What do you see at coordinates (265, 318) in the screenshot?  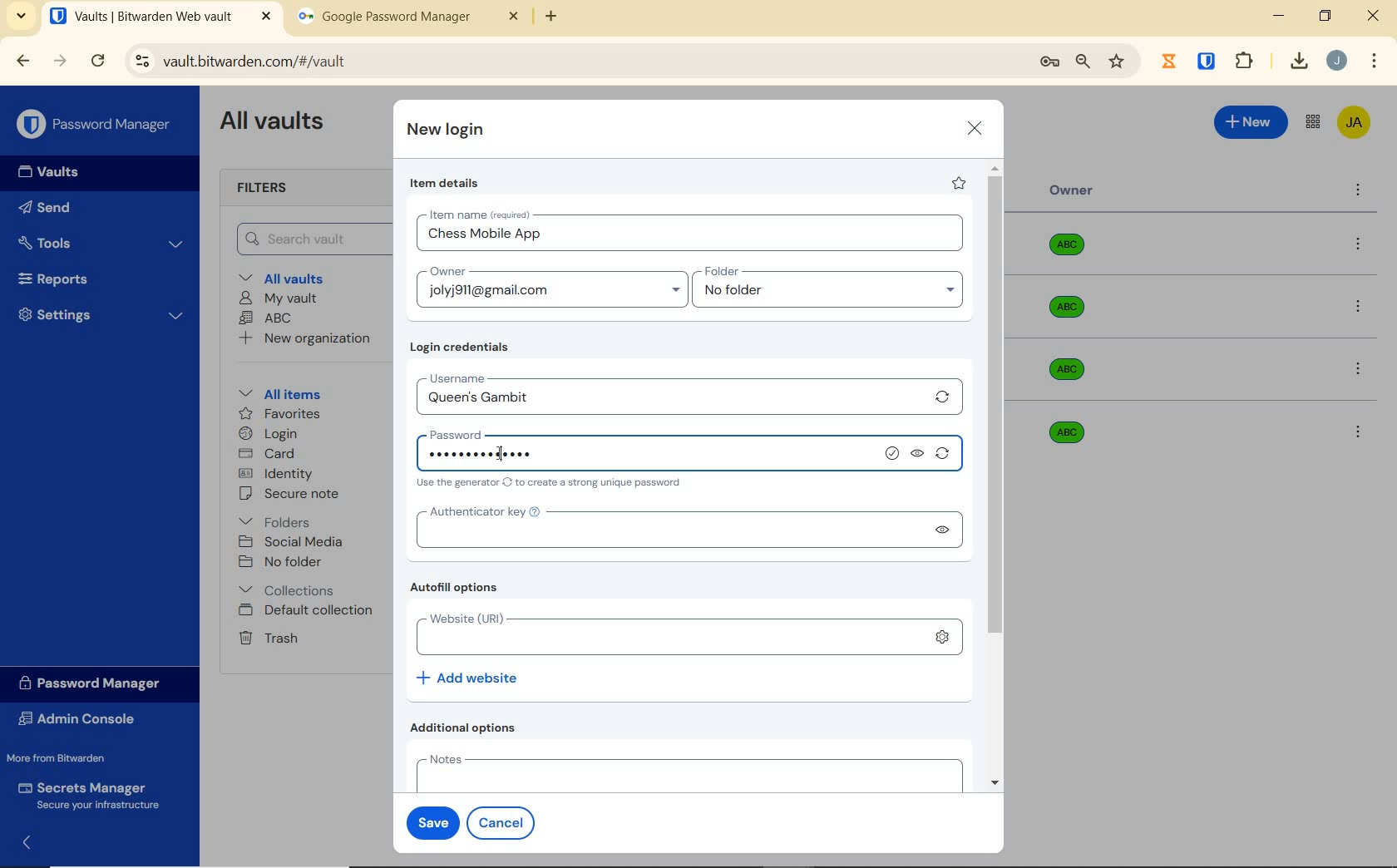 I see `ABC` at bounding box center [265, 318].